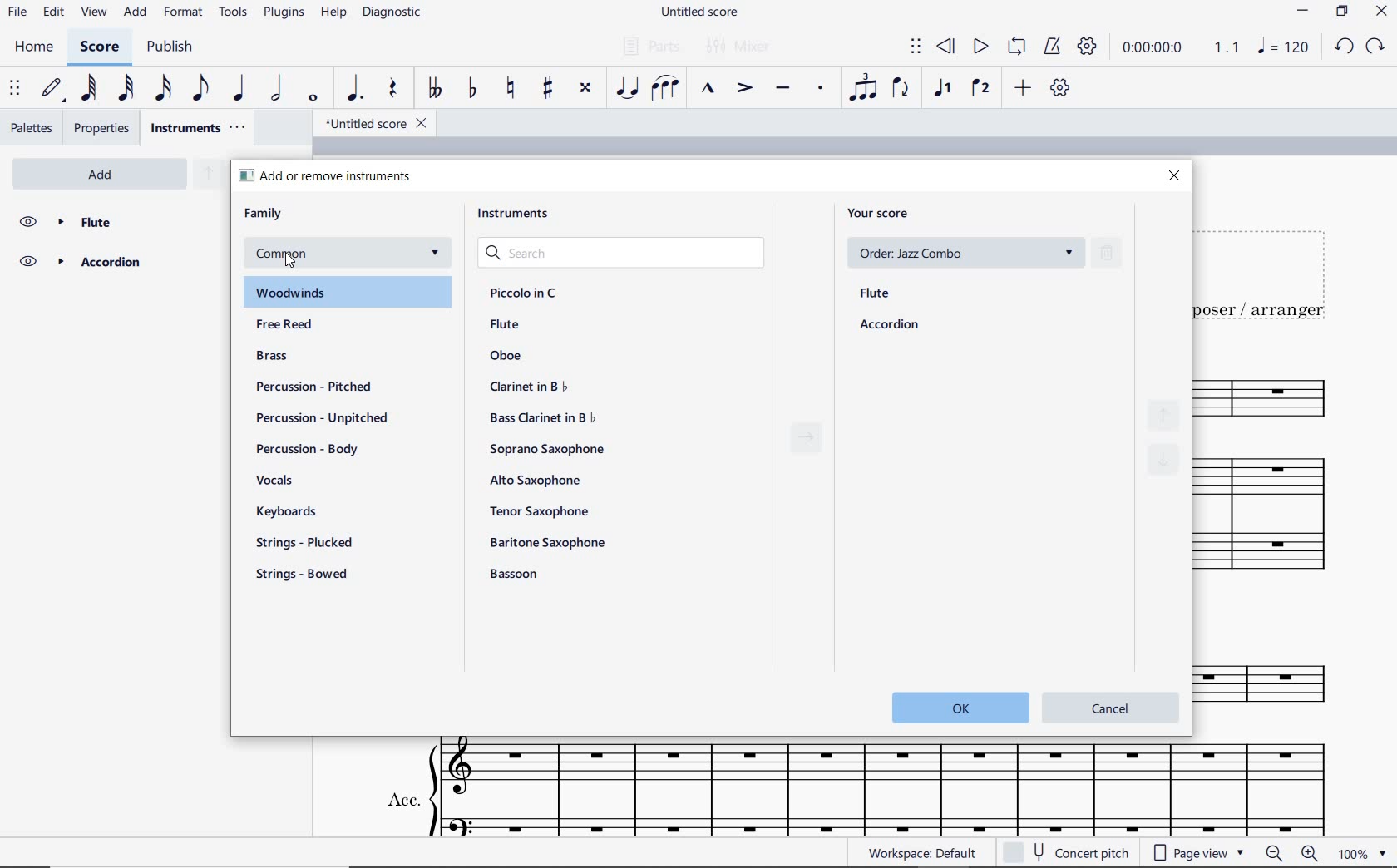 The height and width of the screenshot is (868, 1397). I want to click on add or remove instruments, so click(328, 176).